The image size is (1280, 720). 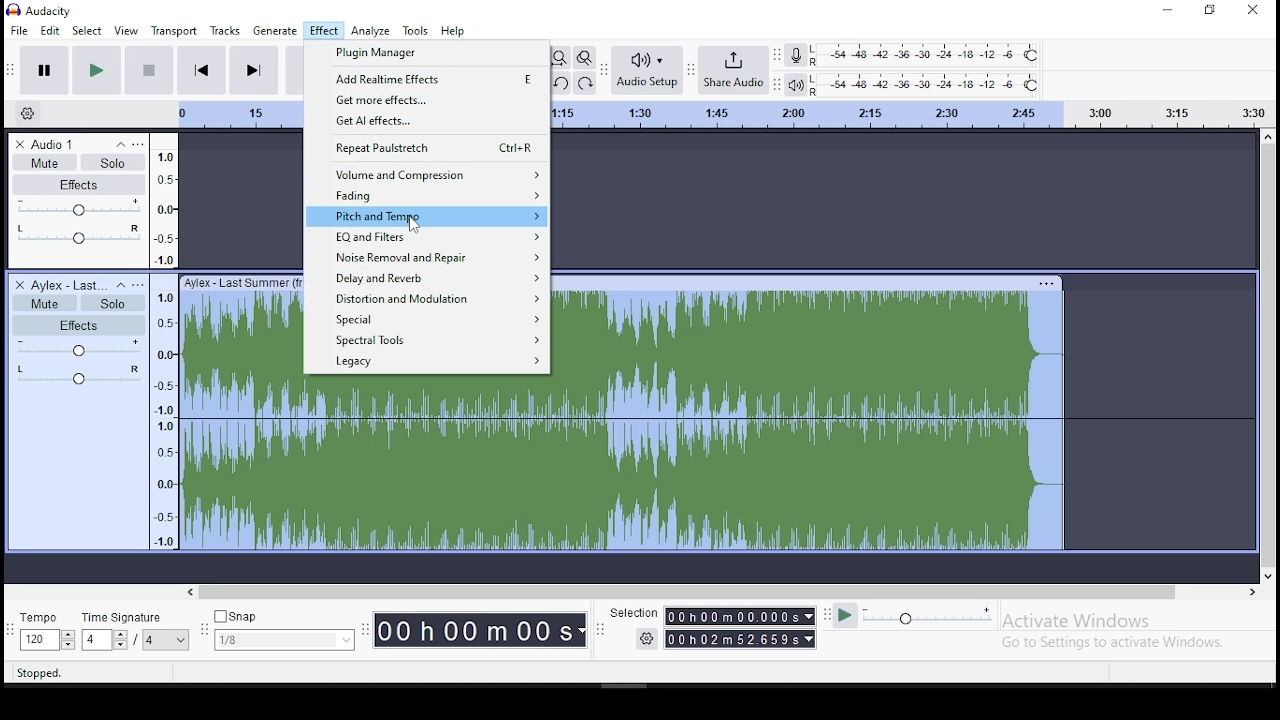 What do you see at coordinates (59, 144) in the screenshot?
I see `audio ` at bounding box center [59, 144].